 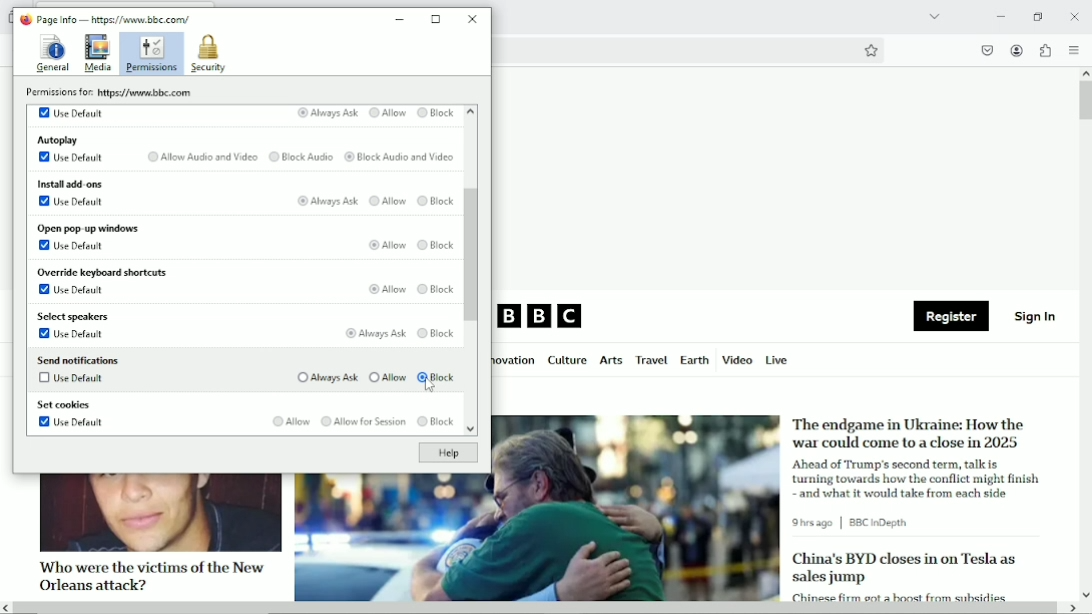 What do you see at coordinates (911, 433) in the screenshot?
I see `The endgame in Ukraine: How the war could come to a close in 2025` at bounding box center [911, 433].